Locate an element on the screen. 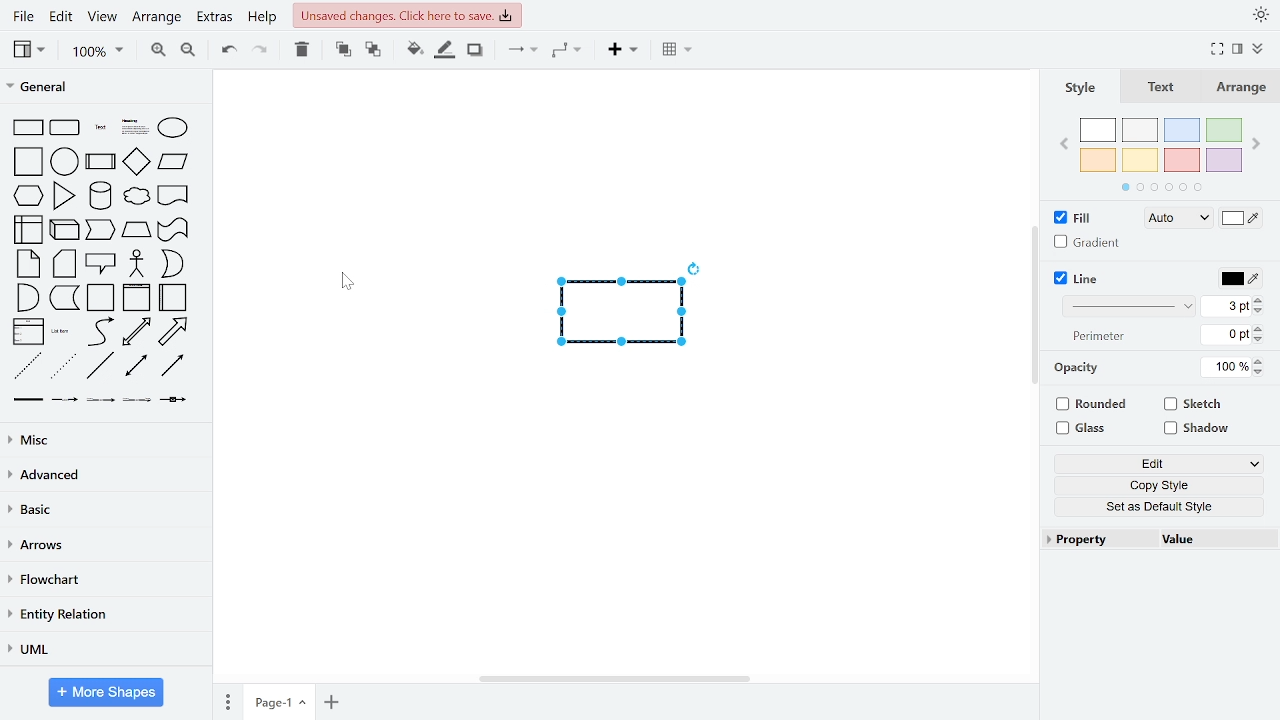  fill color is located at coordinates (412, 51).